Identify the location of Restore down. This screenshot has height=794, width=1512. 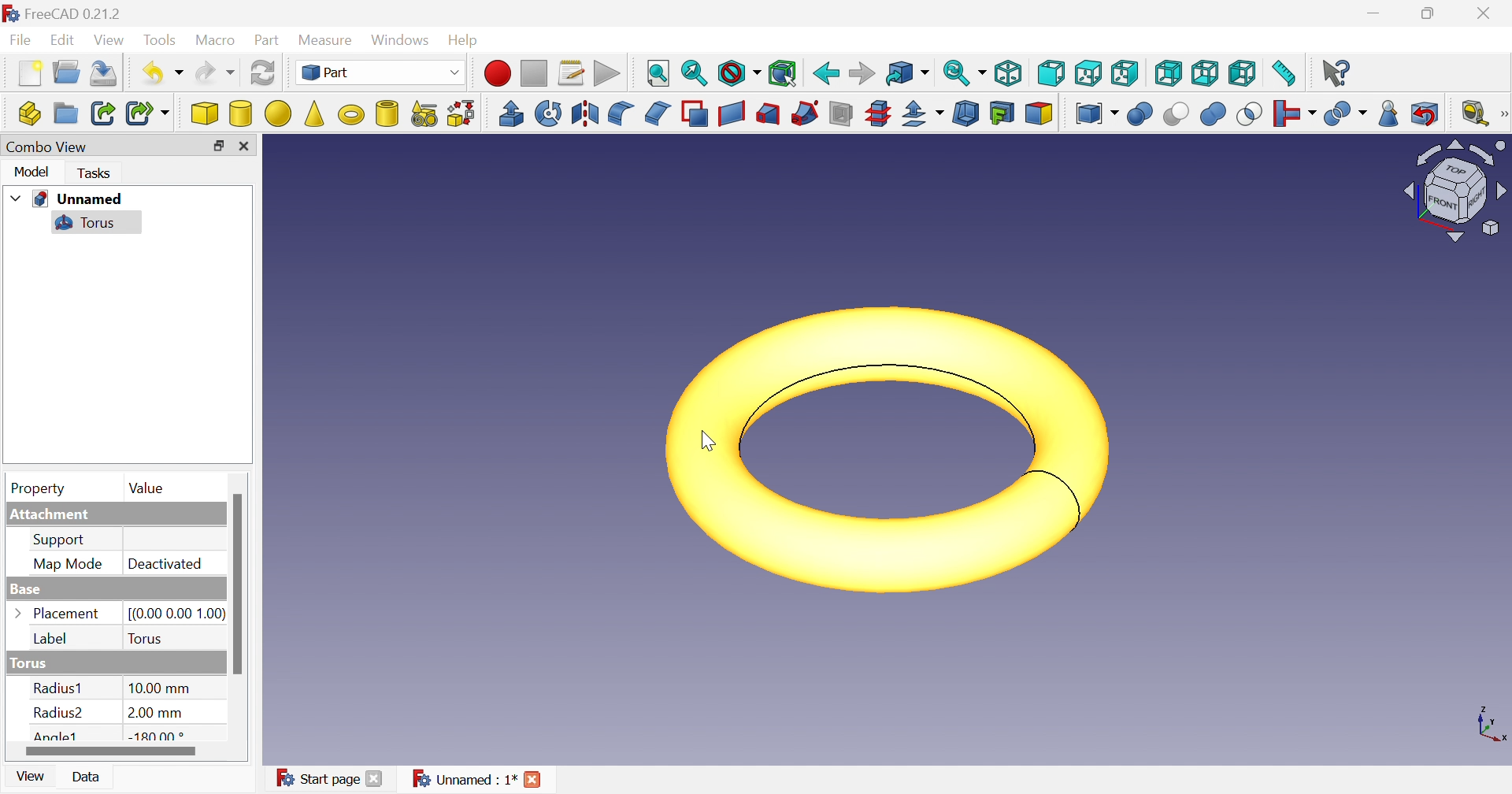
(216, 147).